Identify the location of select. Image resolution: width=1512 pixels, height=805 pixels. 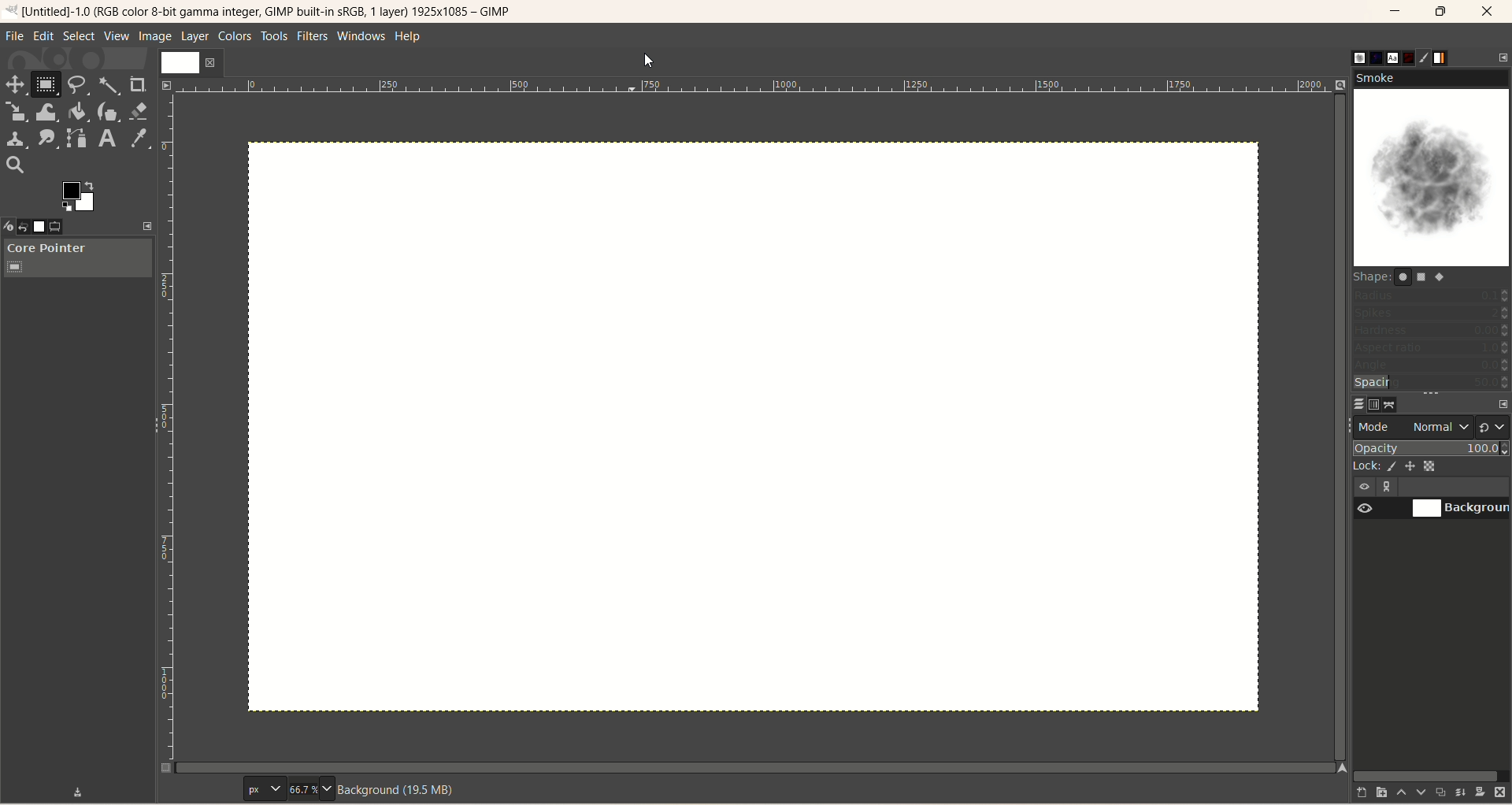
(77, 36).